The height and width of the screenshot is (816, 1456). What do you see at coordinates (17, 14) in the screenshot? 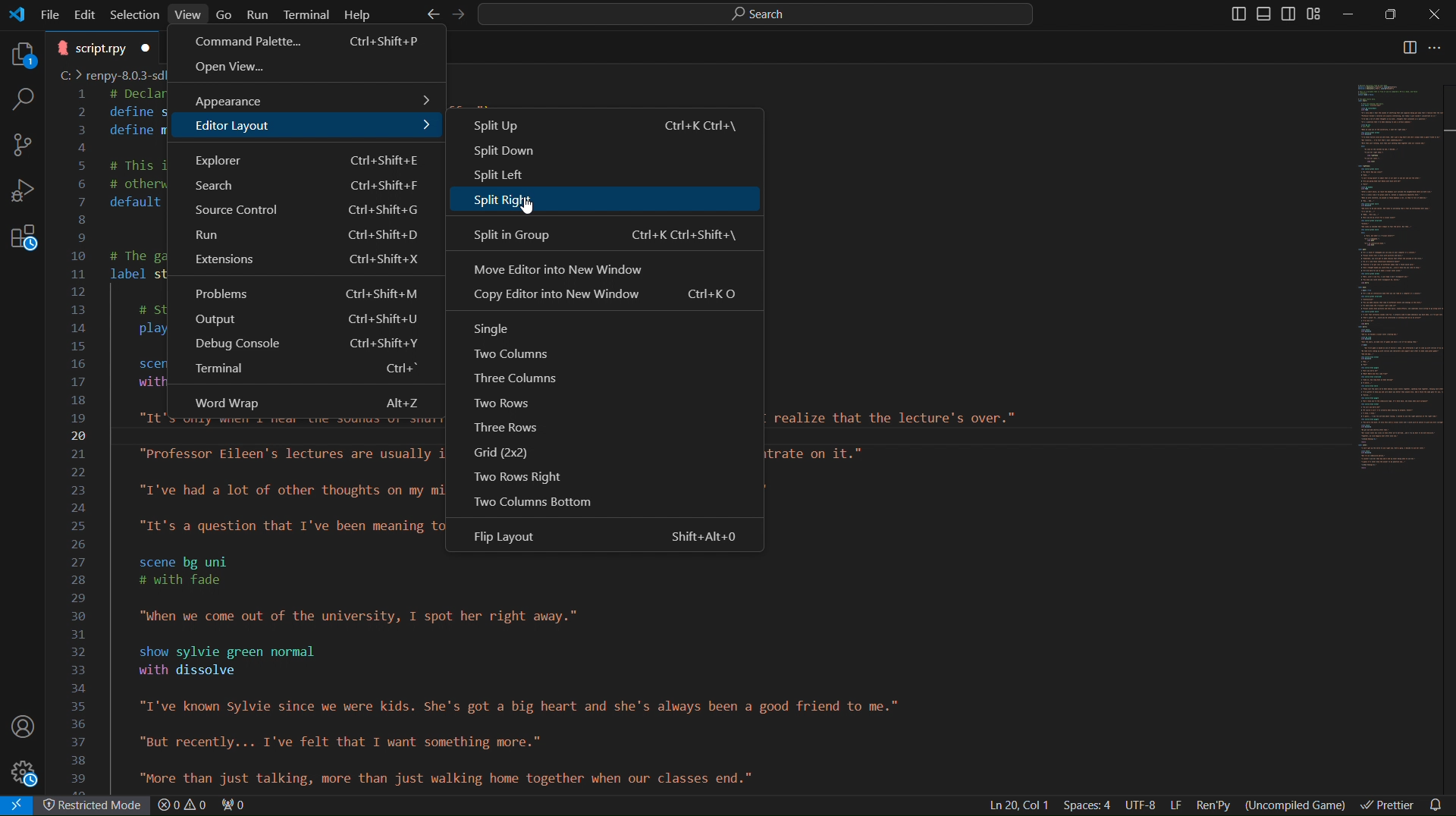
I see `Logo` at bounding box center [17, 14].